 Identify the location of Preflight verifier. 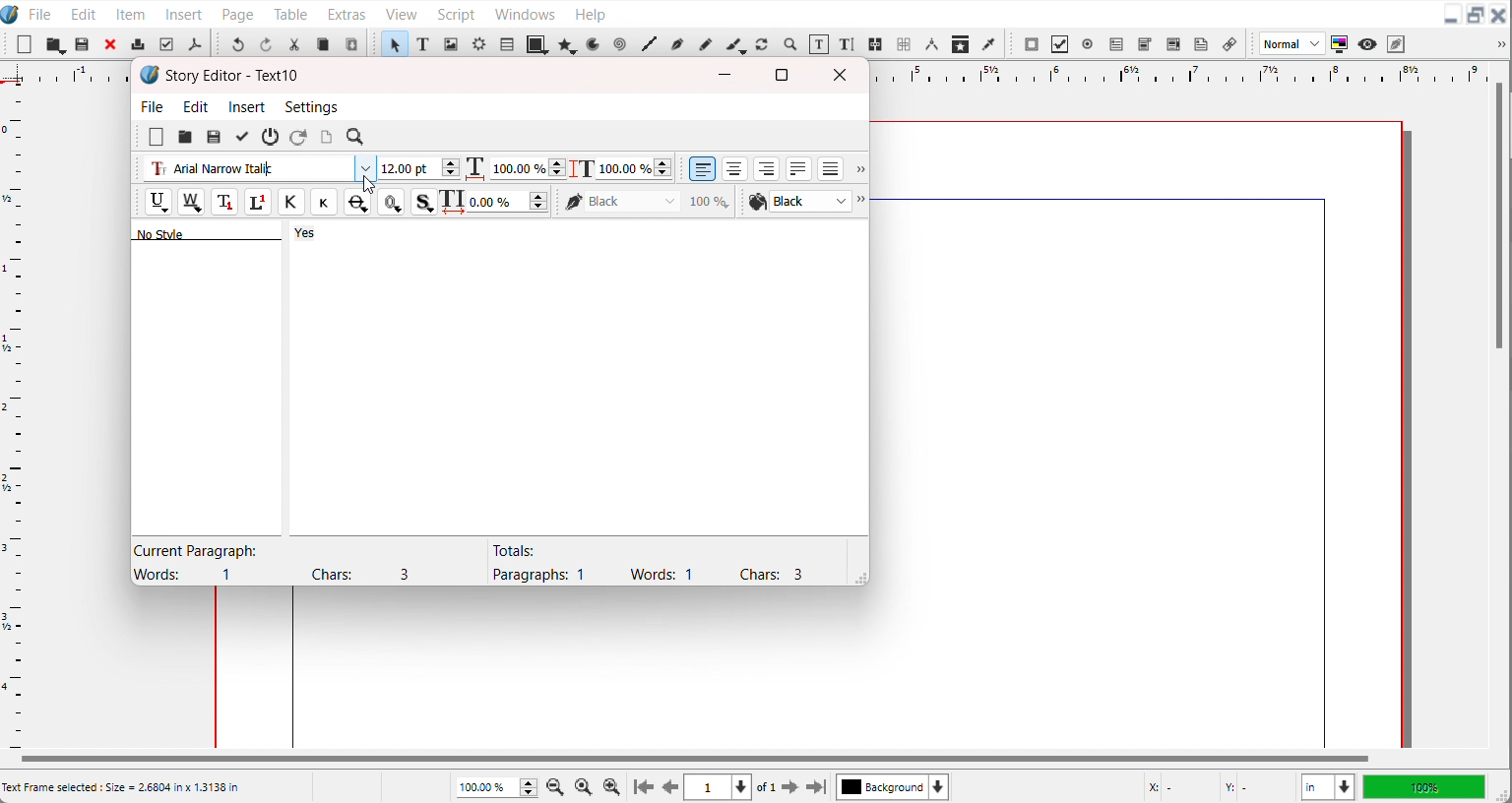
(165, 44).